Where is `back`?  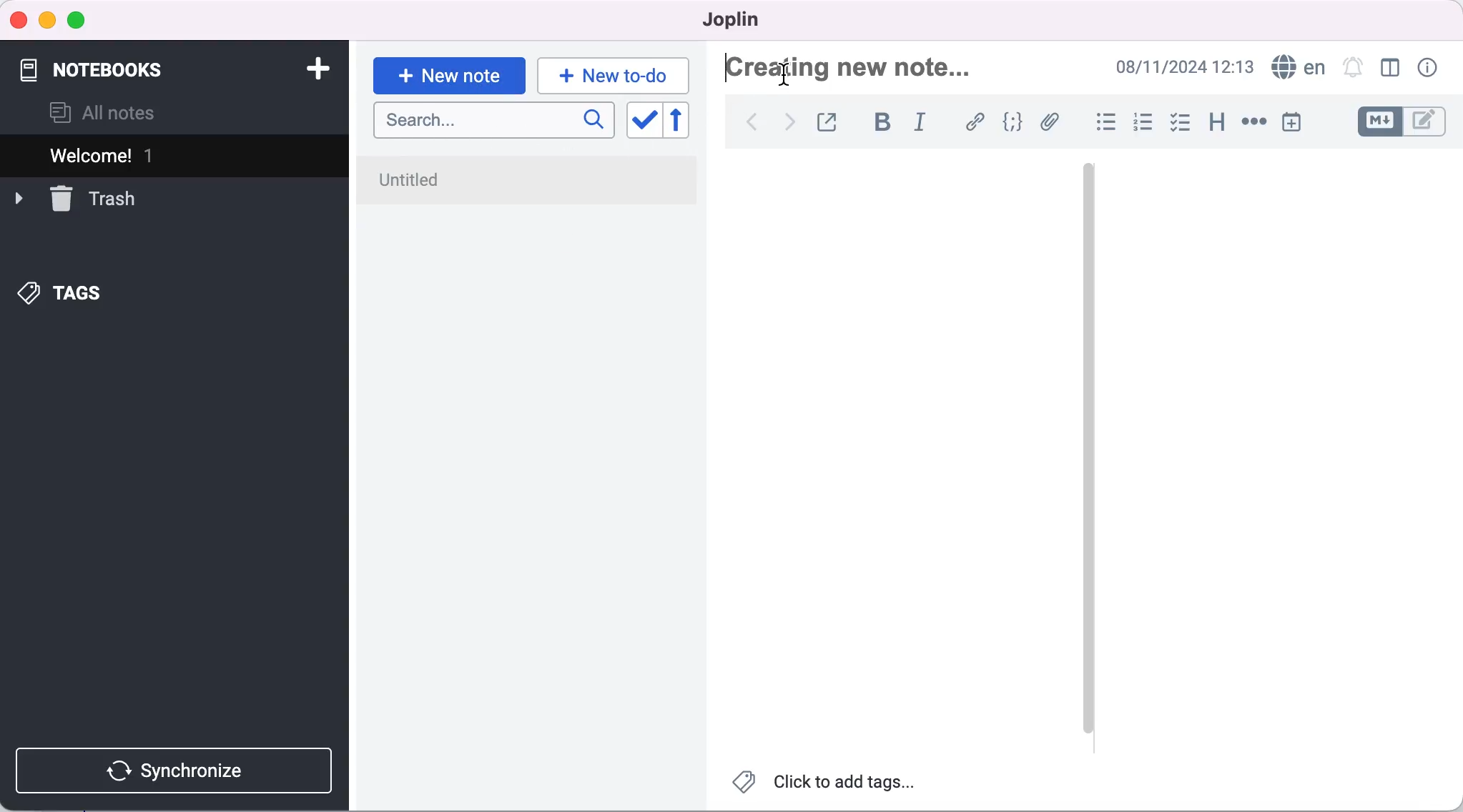
back is located at coordinates (751, 122).